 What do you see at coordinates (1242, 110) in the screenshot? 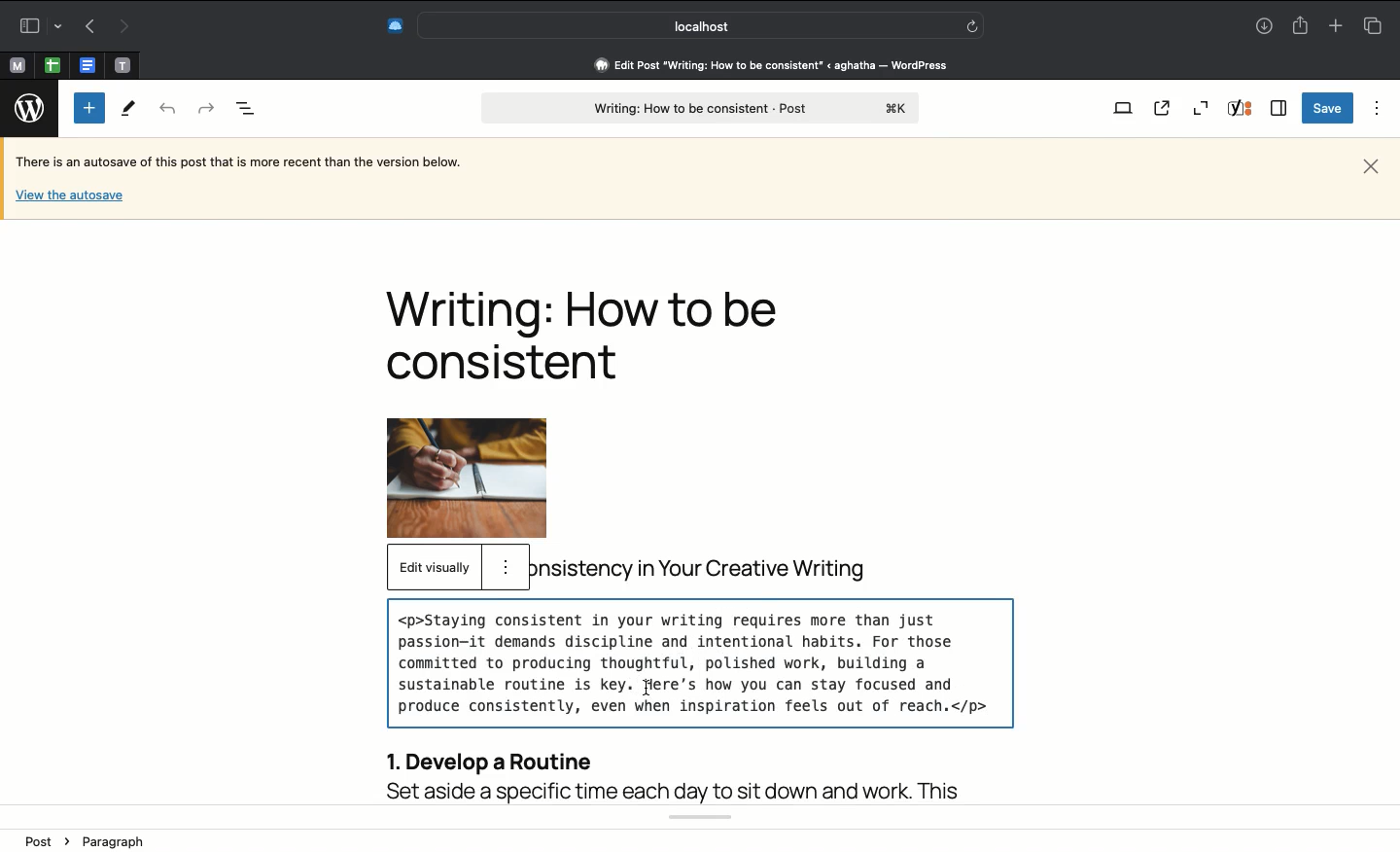
I see `Yoast` at bounding box center [1242, 110].